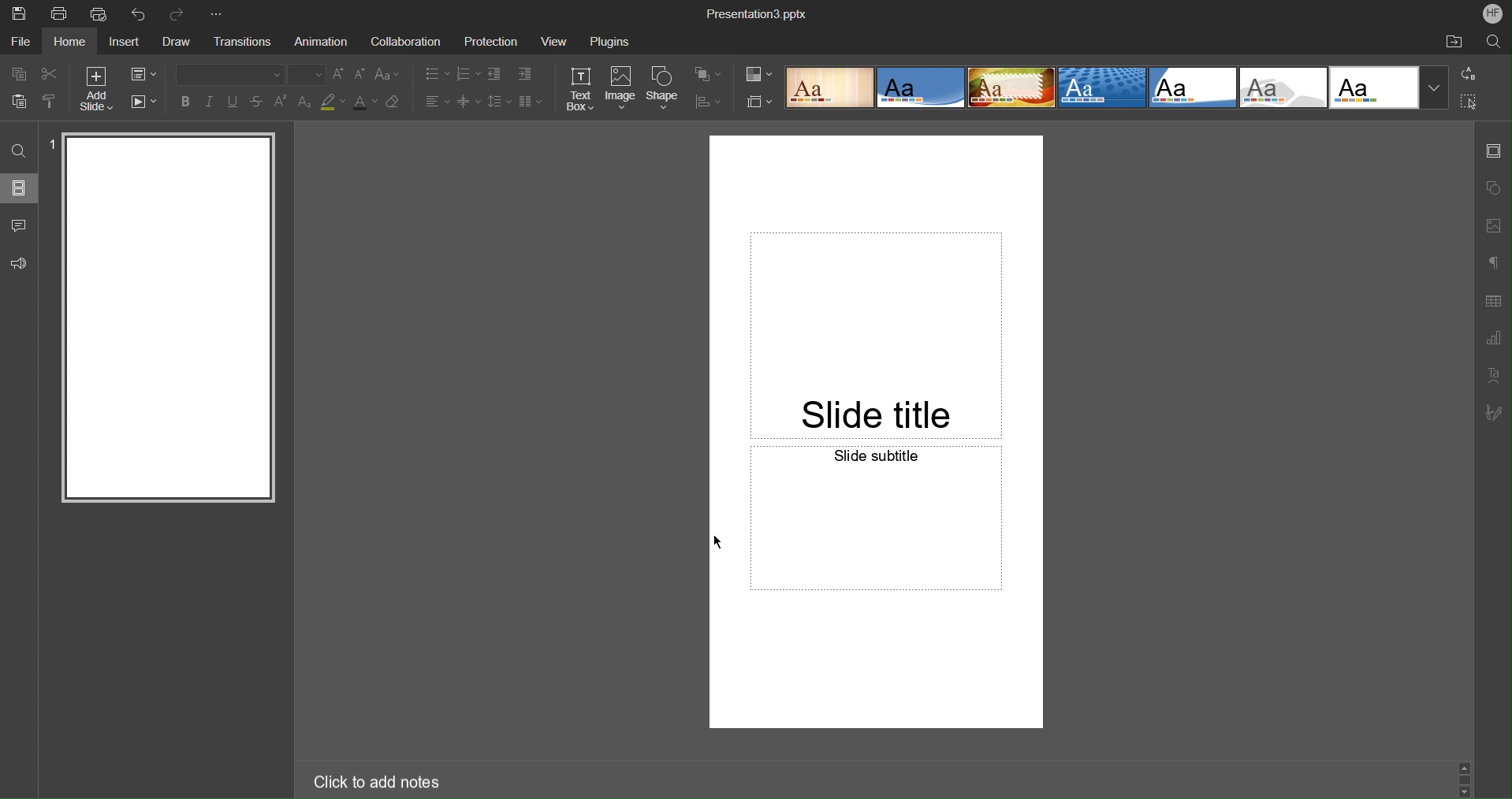 This screenshot has height=799, width=1512. Describe the element at coordinates (530, 102) in the screenshot. I see `Column` at that location.